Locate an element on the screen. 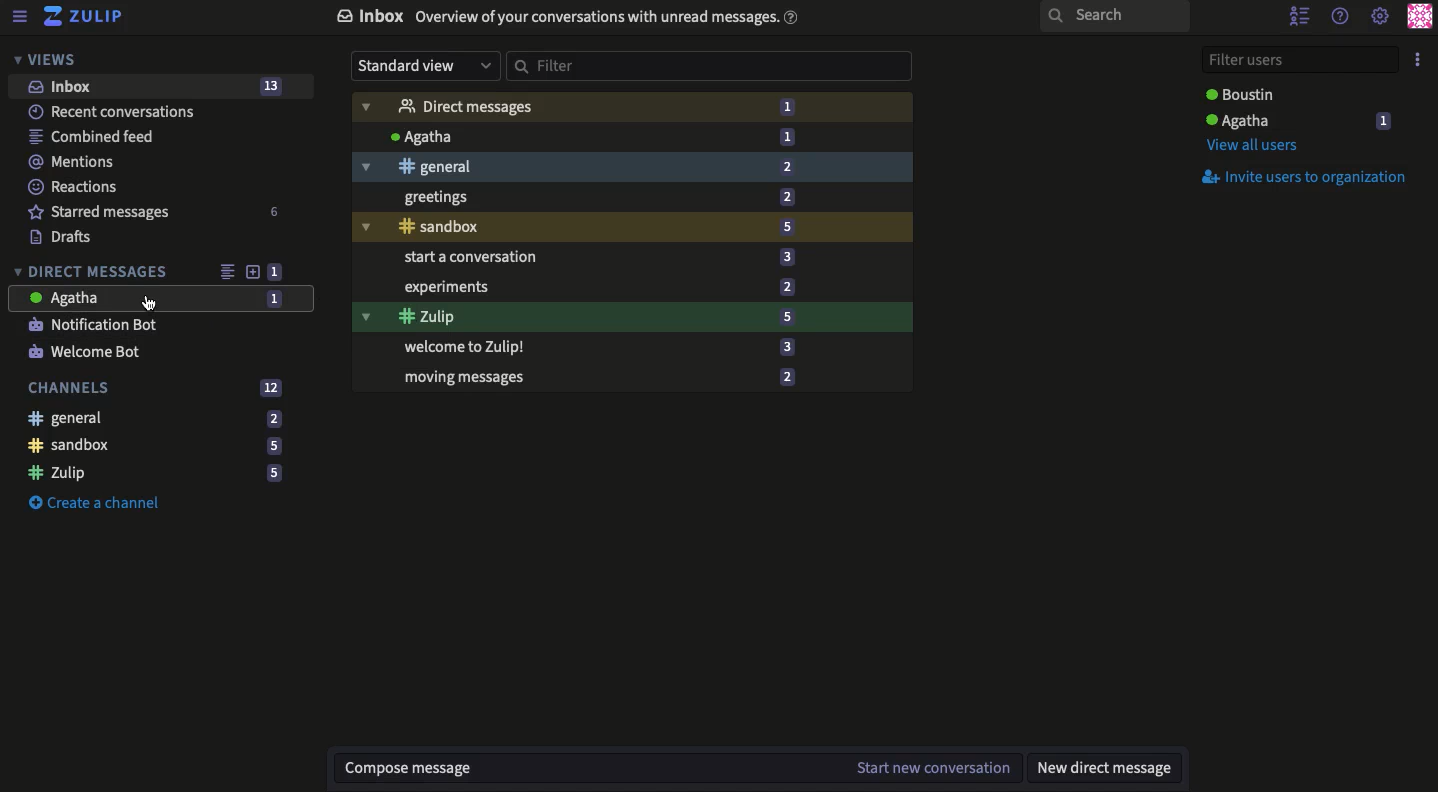  General is located at coordinates (630, 169).